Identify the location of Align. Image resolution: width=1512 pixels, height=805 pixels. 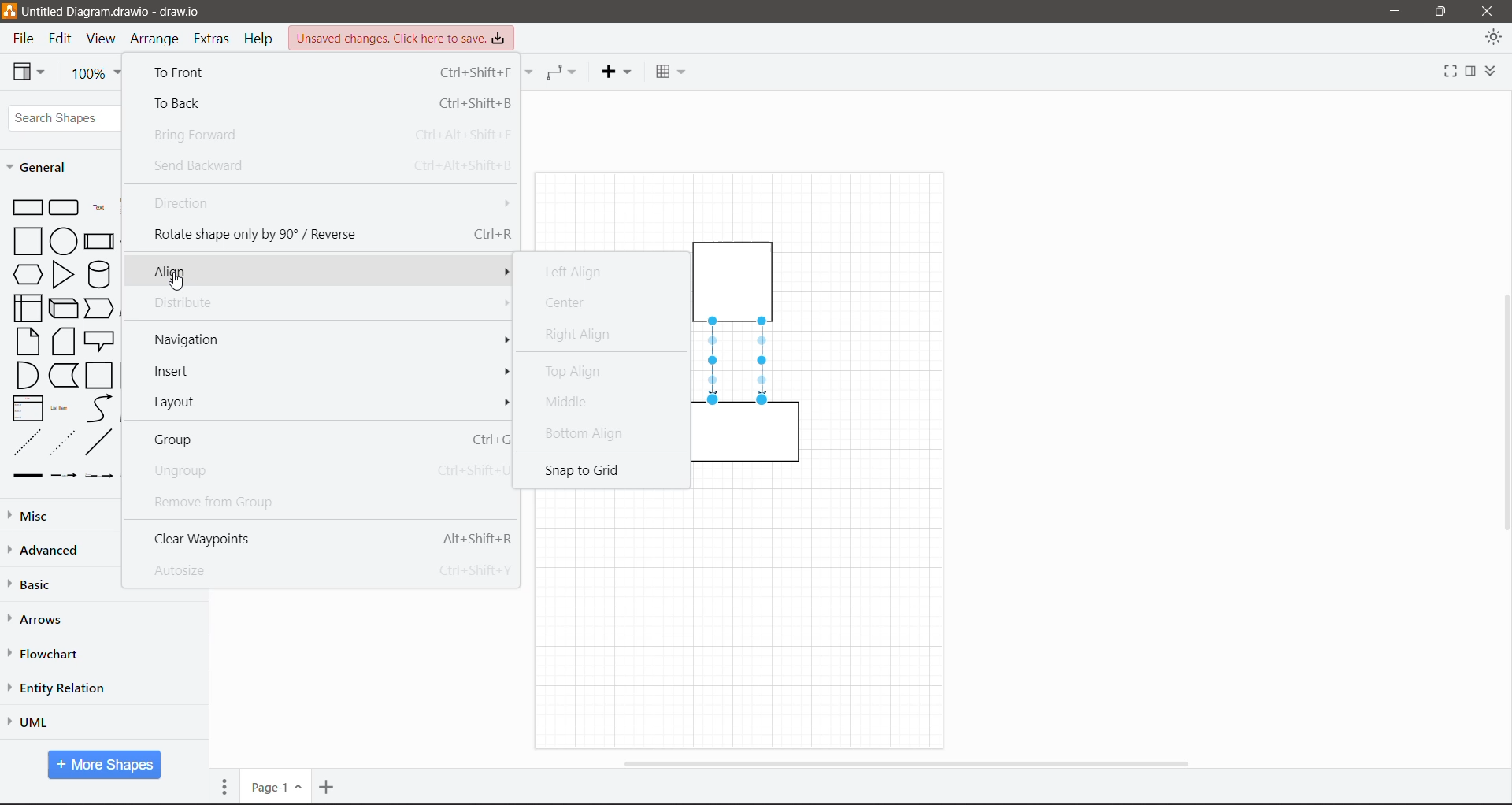
(324, 269).